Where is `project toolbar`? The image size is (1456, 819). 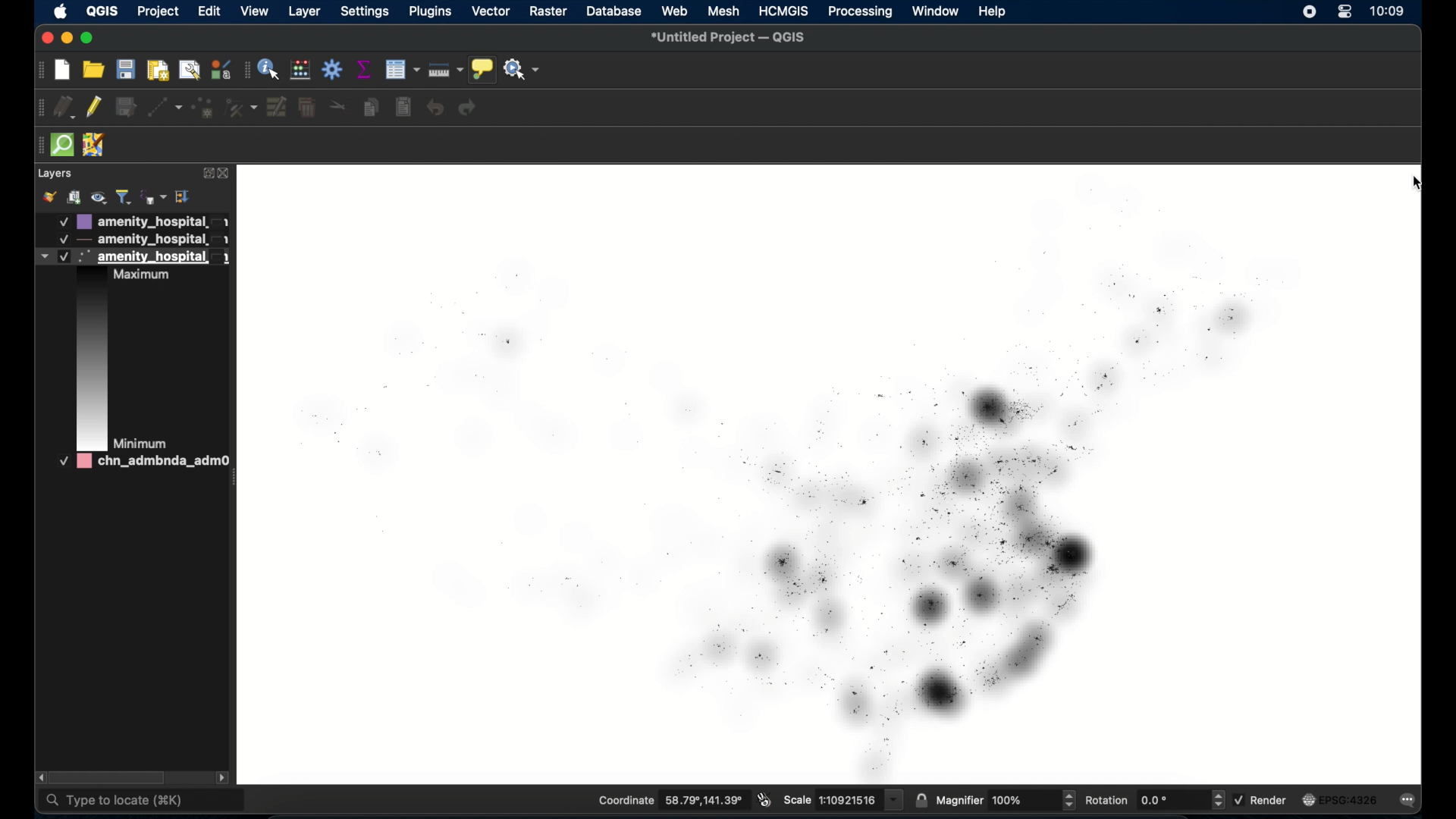 project toolbar is located at coordinates (40, 71).